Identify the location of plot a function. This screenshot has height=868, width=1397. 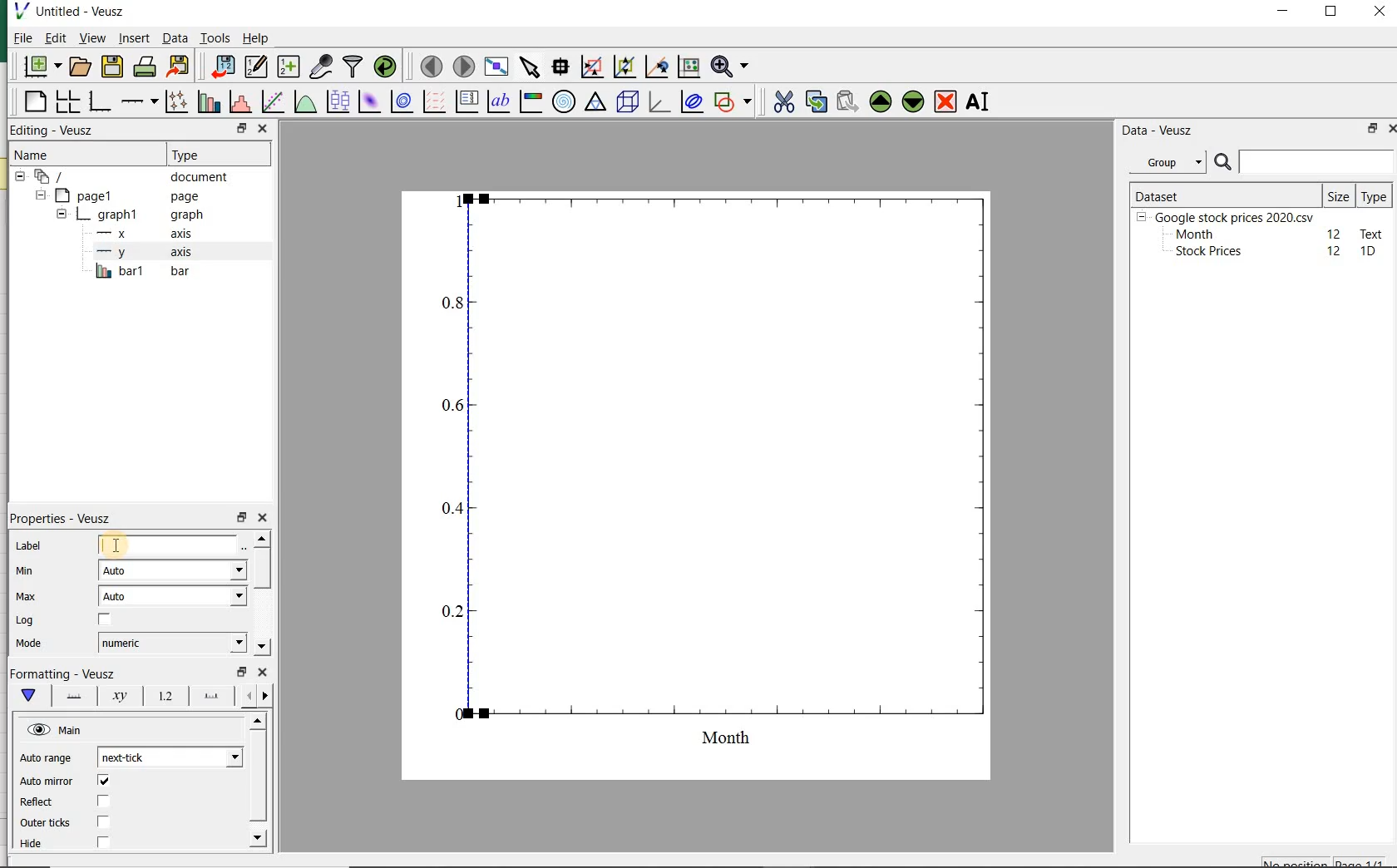
(304, 103).